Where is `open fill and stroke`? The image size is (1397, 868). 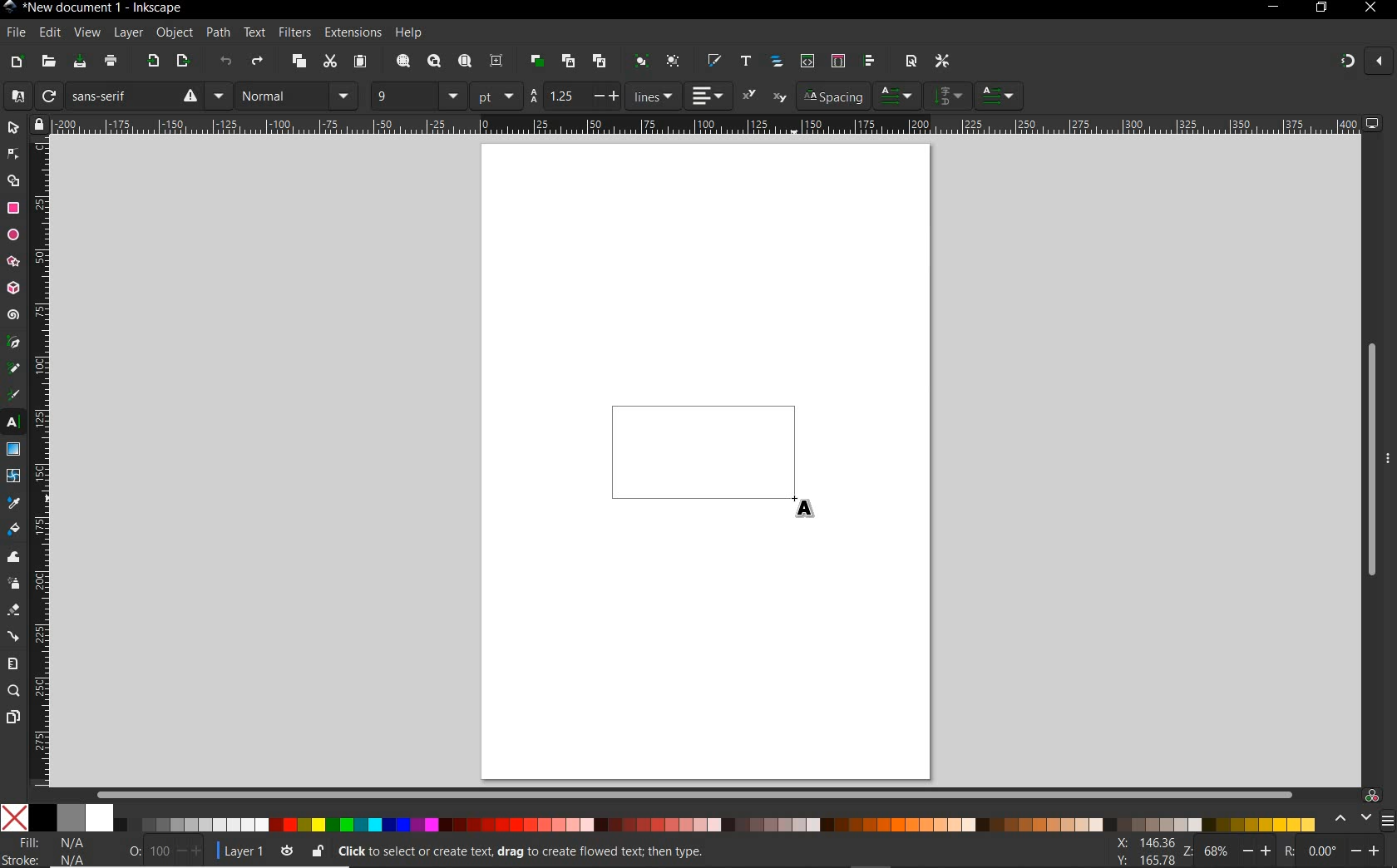 open fill and stroke is located at coordinates (713, 61).